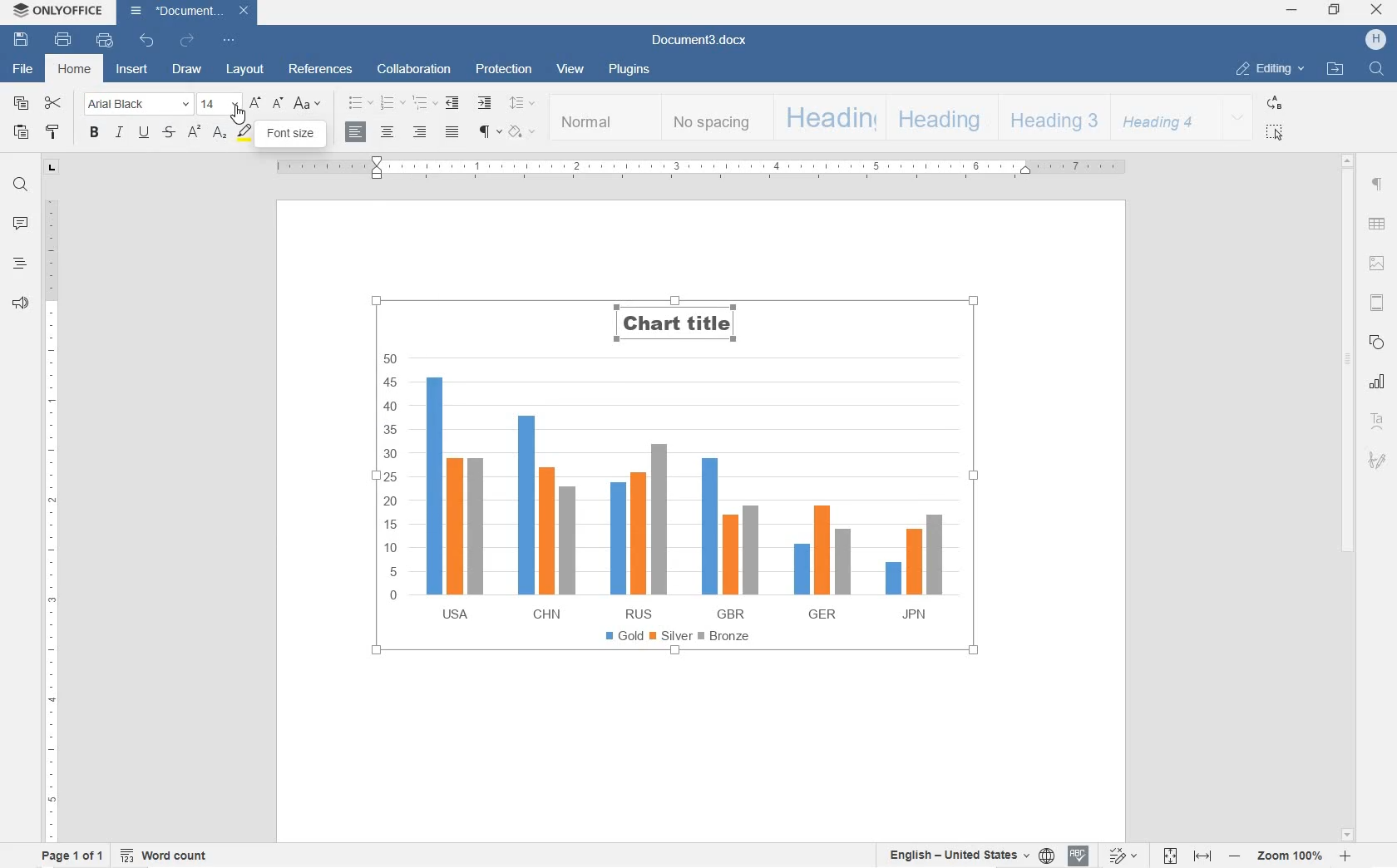 This screenshot has height=868, width=1397. What do you see at coordinates (321, 67) in the screenshot?
I see `REFERENCES` at bounding box center [321, 67].